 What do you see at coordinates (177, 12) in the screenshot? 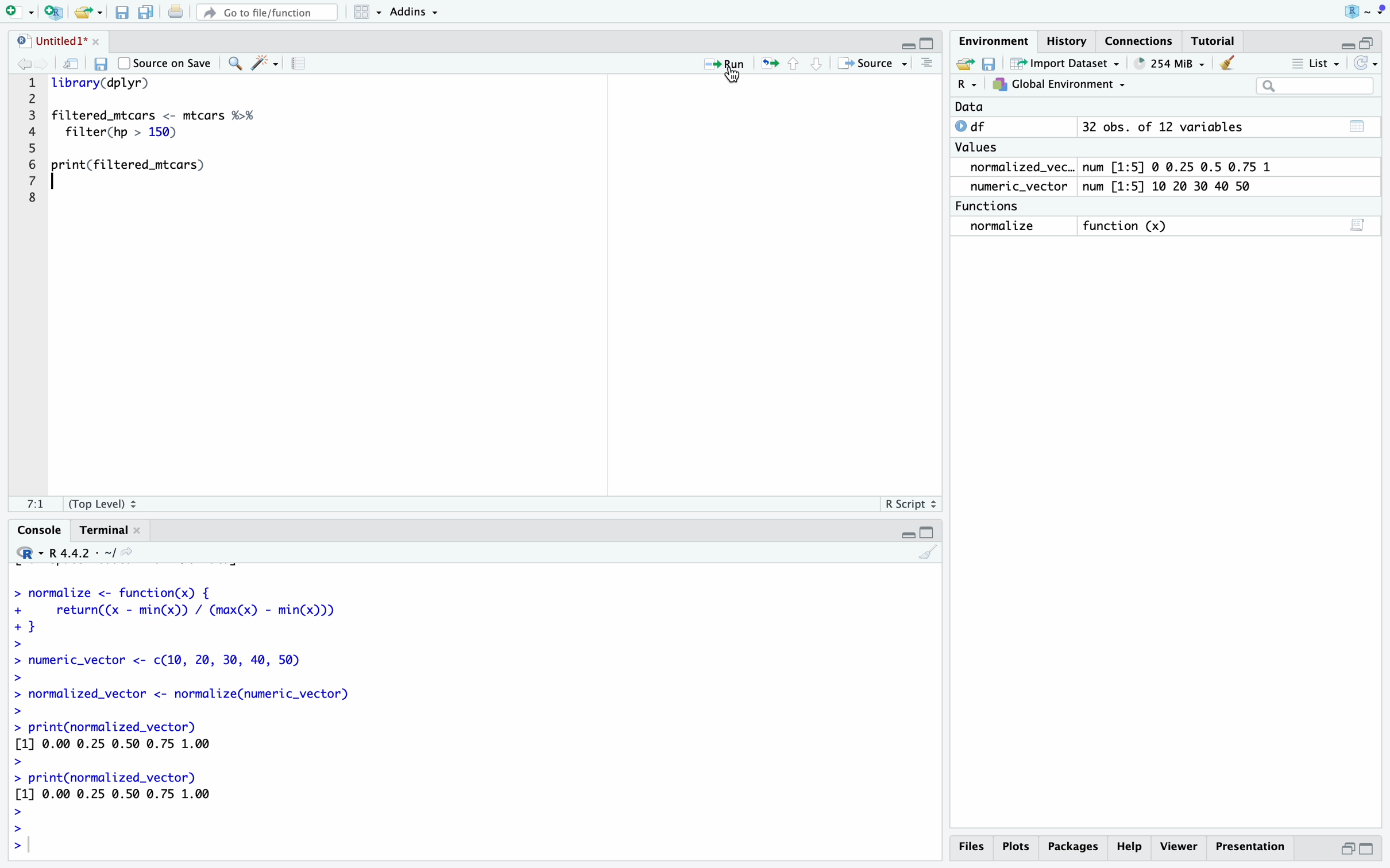
I see `print the current file` at bounding box center [177, 12].